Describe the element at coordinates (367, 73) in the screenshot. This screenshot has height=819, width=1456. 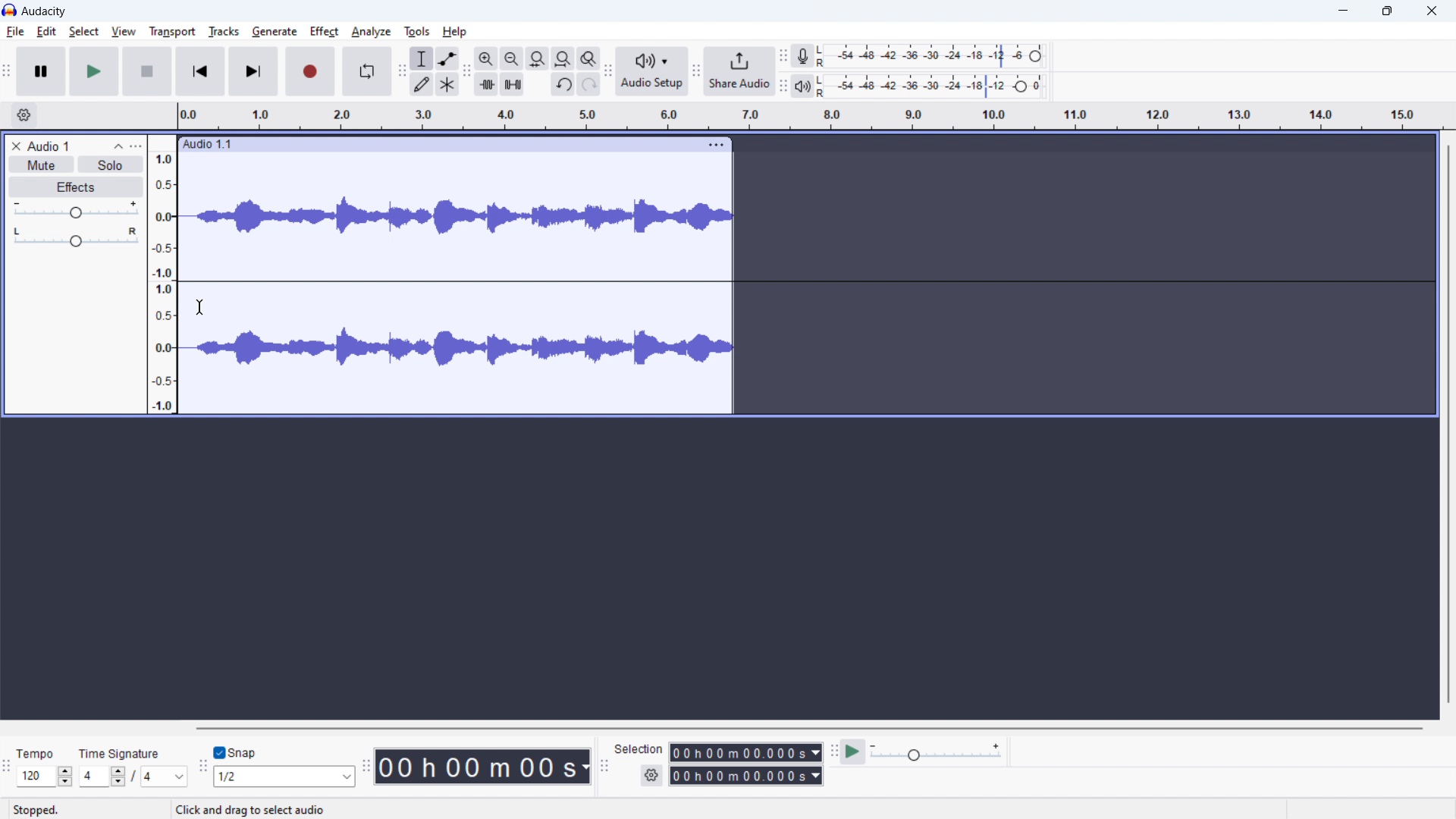
I see `enable loop` at that location.